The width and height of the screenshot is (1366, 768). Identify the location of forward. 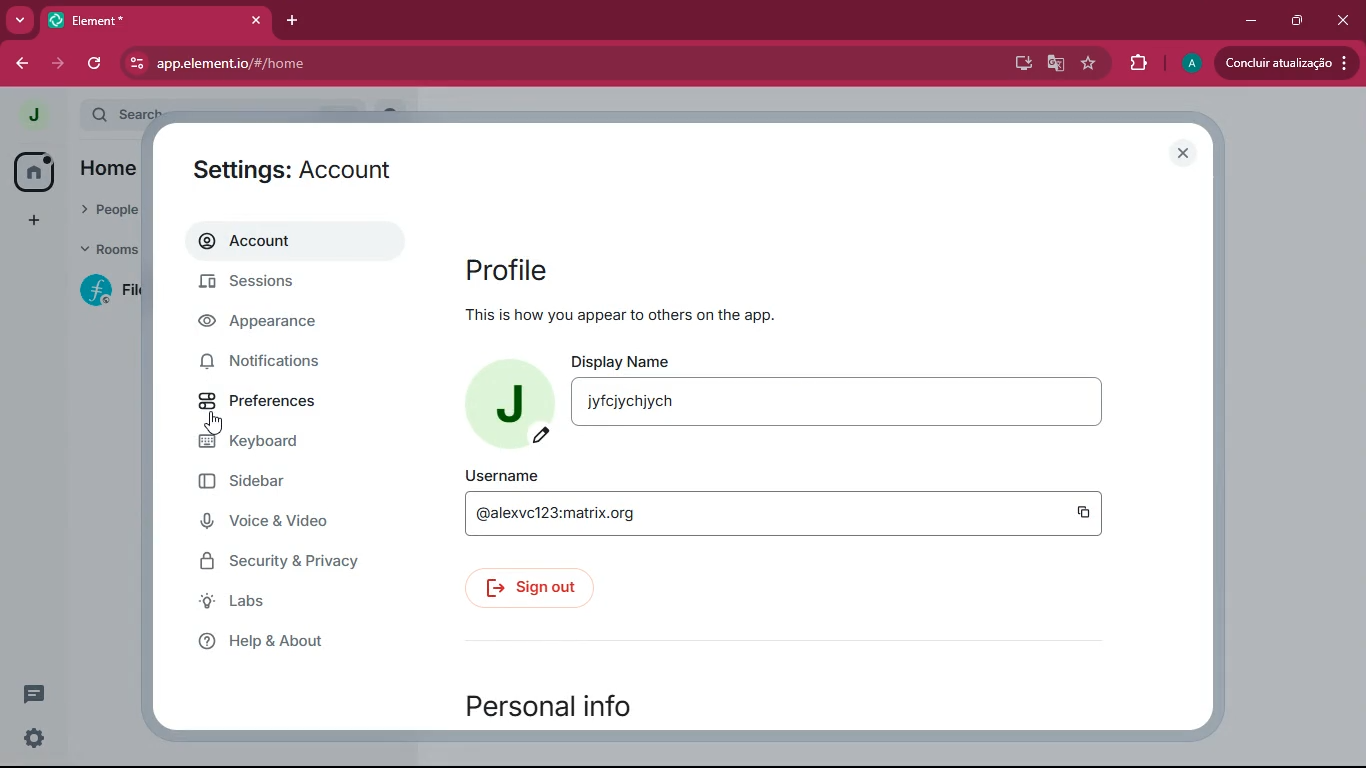
(61, 64).